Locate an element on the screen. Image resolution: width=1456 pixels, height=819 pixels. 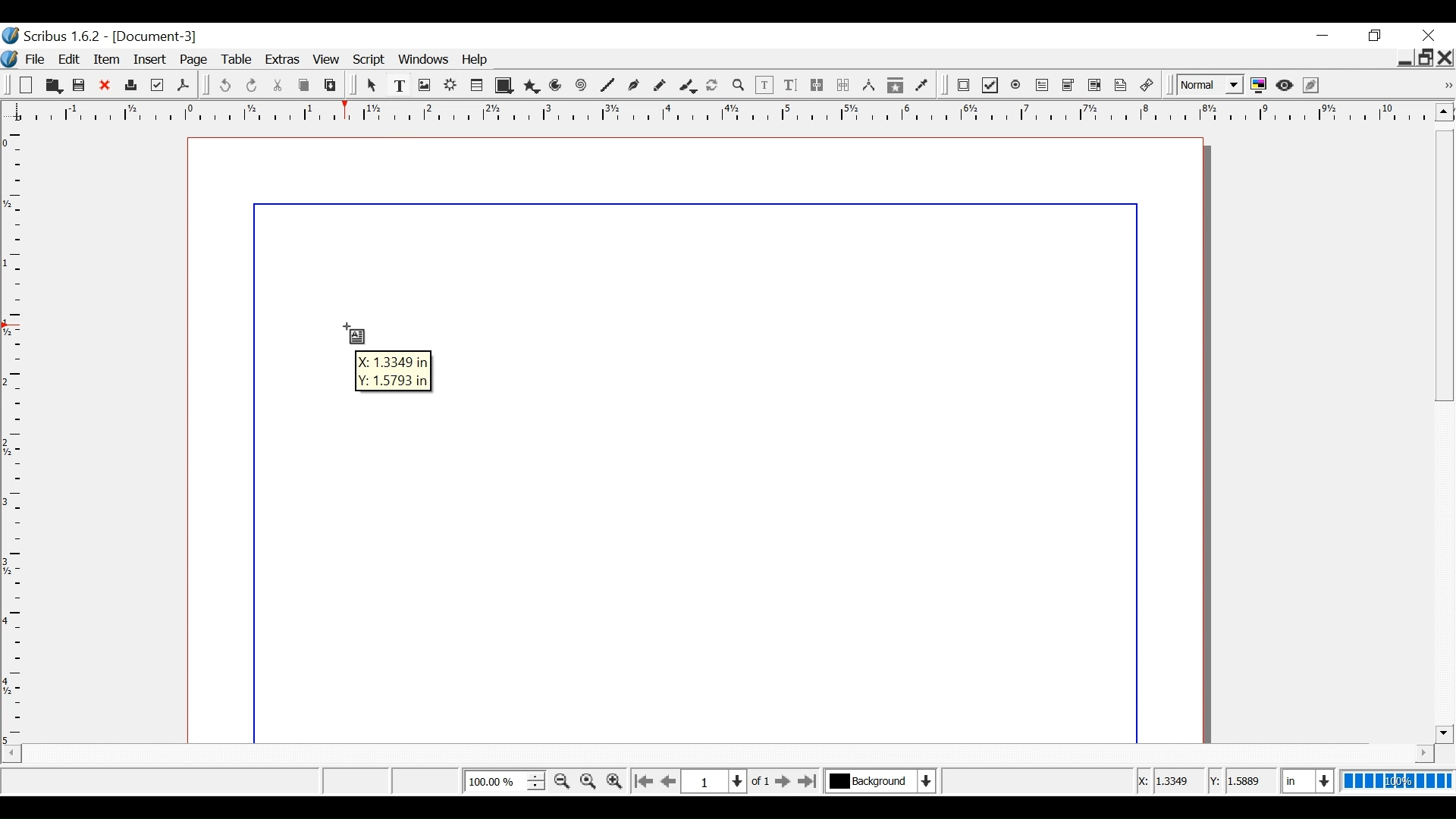
Coordinates is located at coordinates (394, 371).